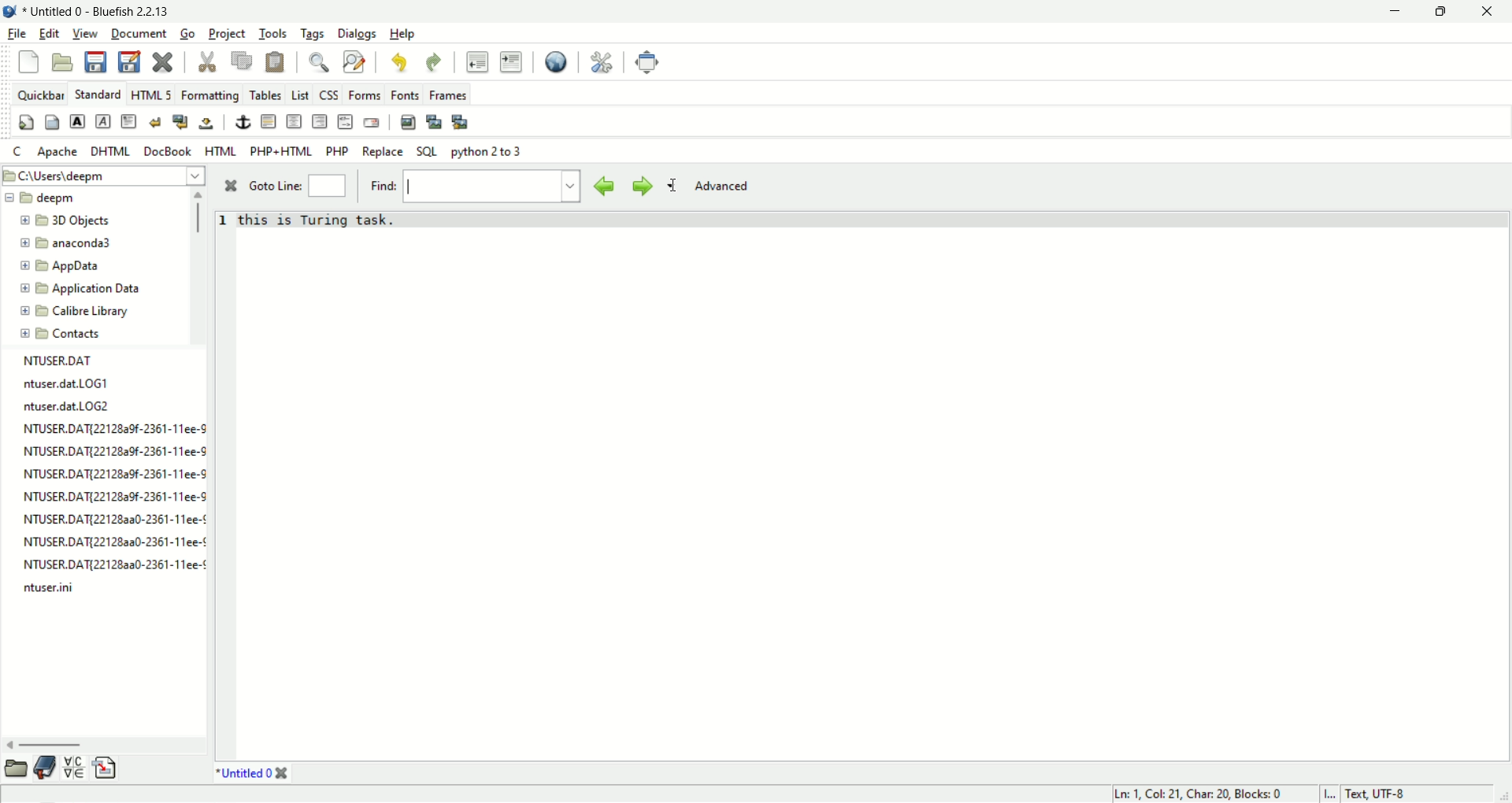  What do you see at coordinates (9, 9) in the screenshot?
I see `application icon` at bounding box center [9, 9].